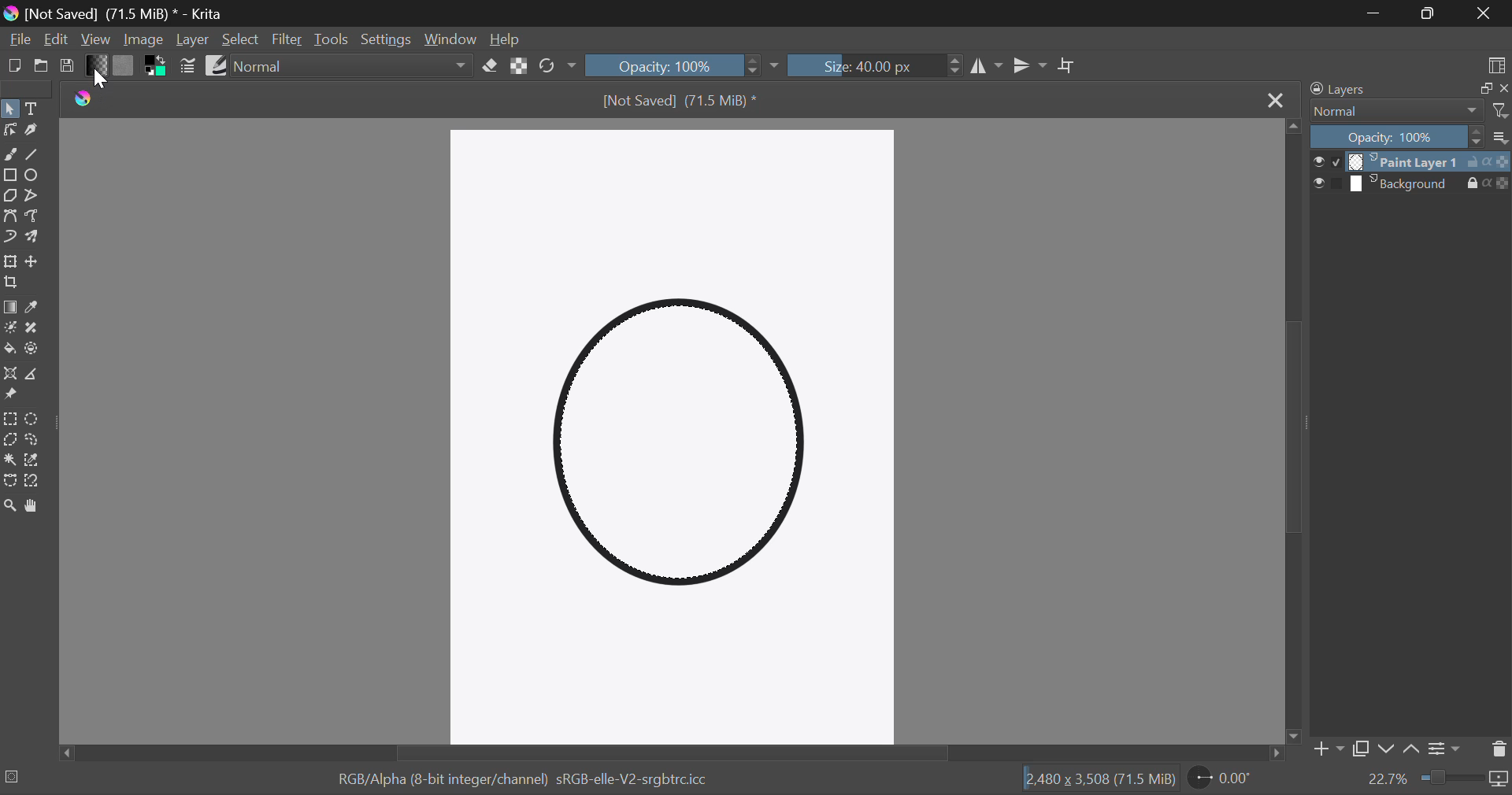 The image size is (1512, 795). What do you see at coordinates (10, 308) in the screenshot?
I see `Gradient Fill` at bounding box center [10, 308].